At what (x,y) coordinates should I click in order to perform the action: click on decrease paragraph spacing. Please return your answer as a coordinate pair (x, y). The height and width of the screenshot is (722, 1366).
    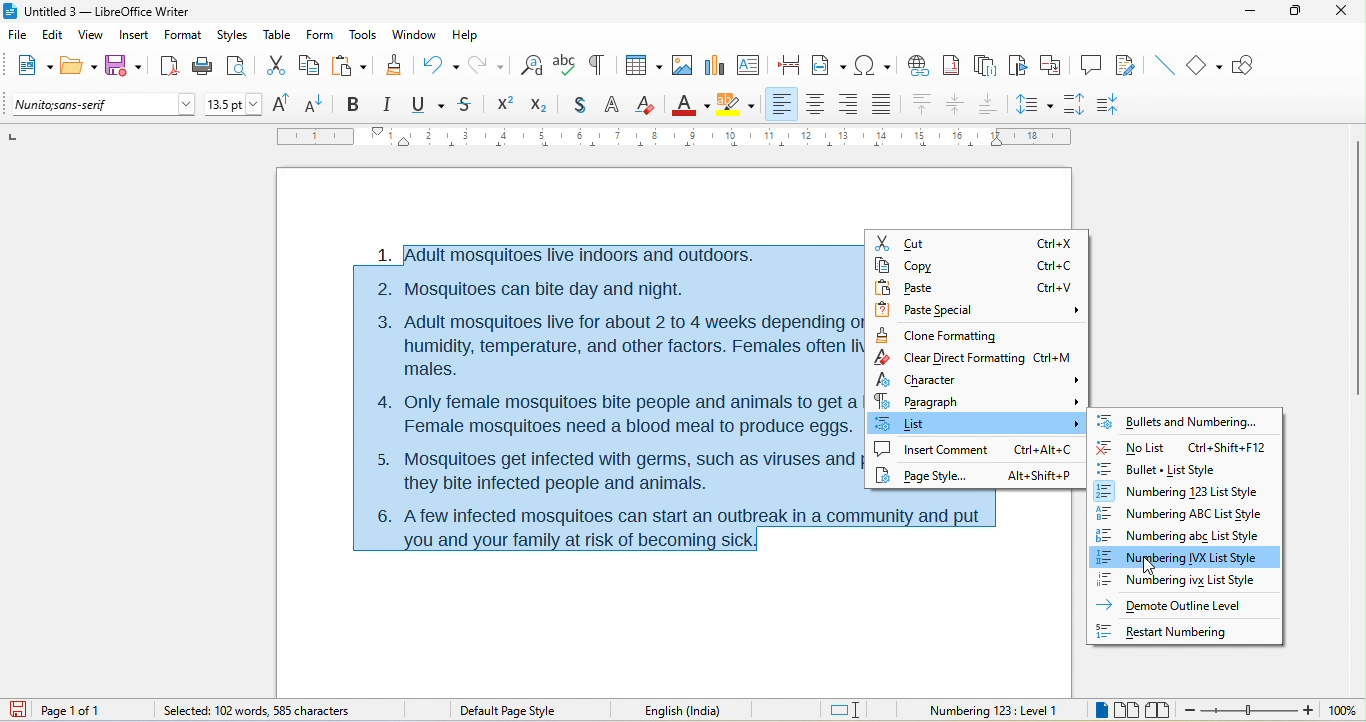
    Looking at the image, I should click on (1121, 102).